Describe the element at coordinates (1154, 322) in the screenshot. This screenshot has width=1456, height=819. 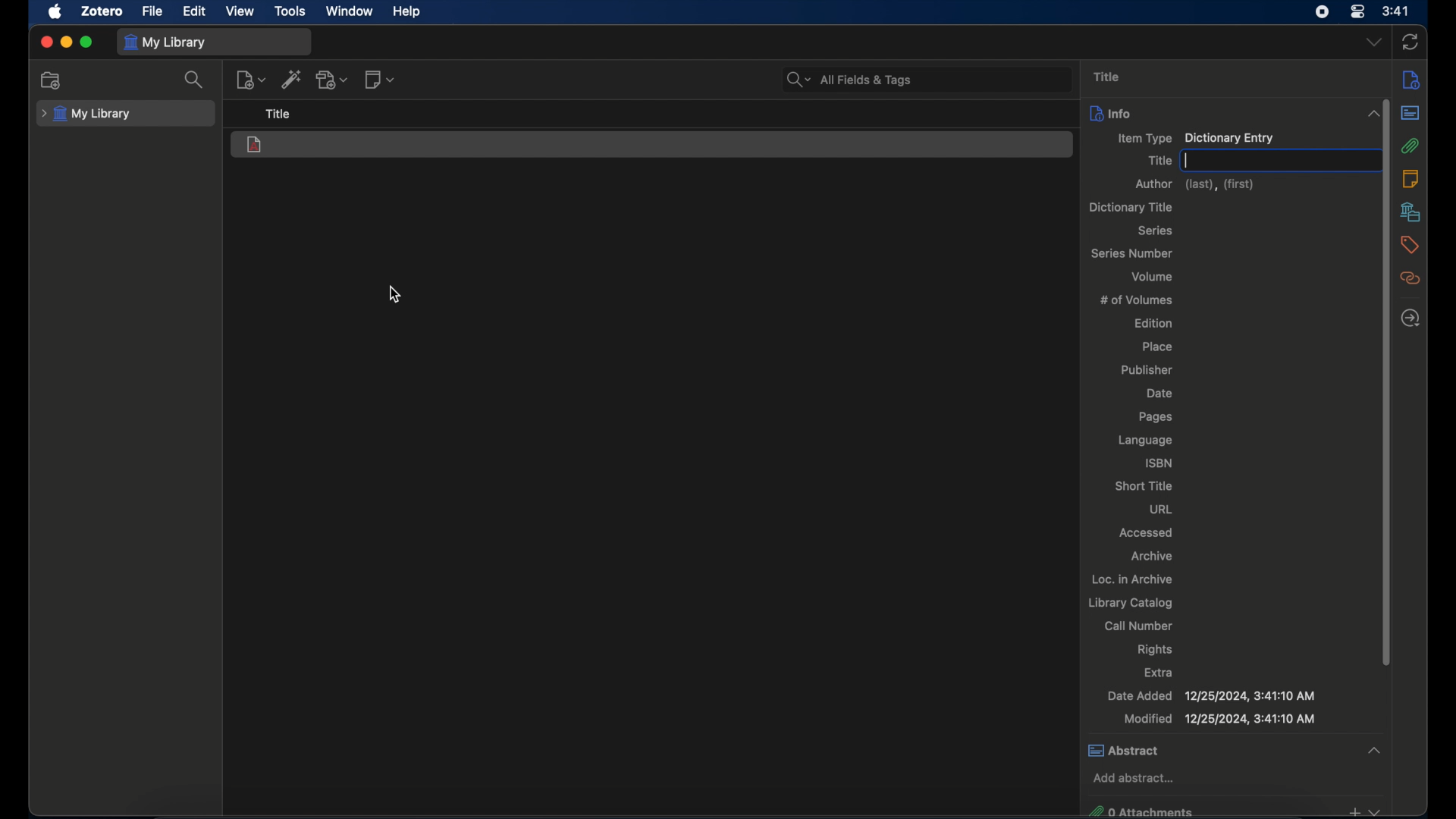
I see `edition` at that location.